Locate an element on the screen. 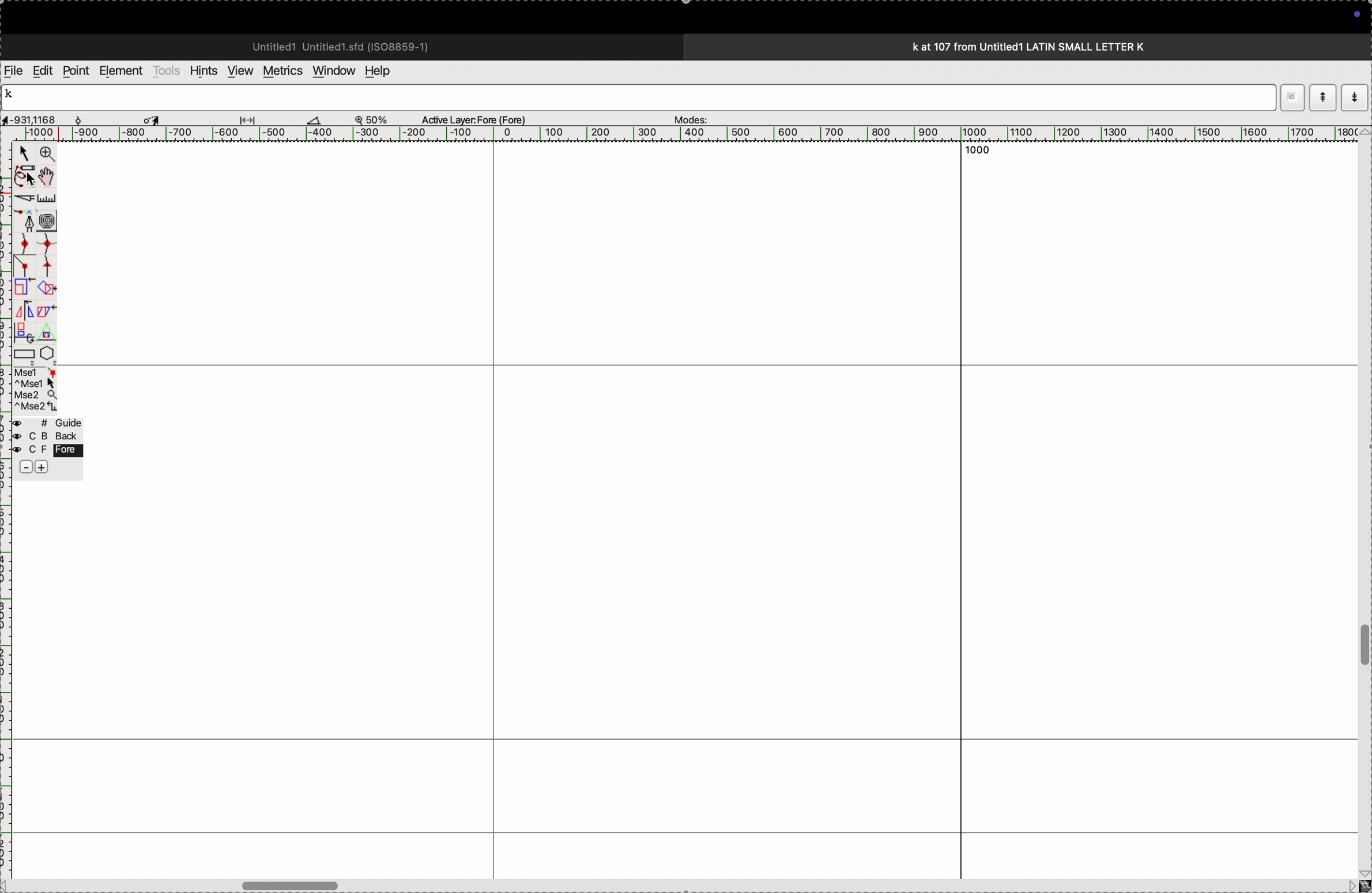 The image size is (1372, 893). tools is located at coordinates (167, 70).